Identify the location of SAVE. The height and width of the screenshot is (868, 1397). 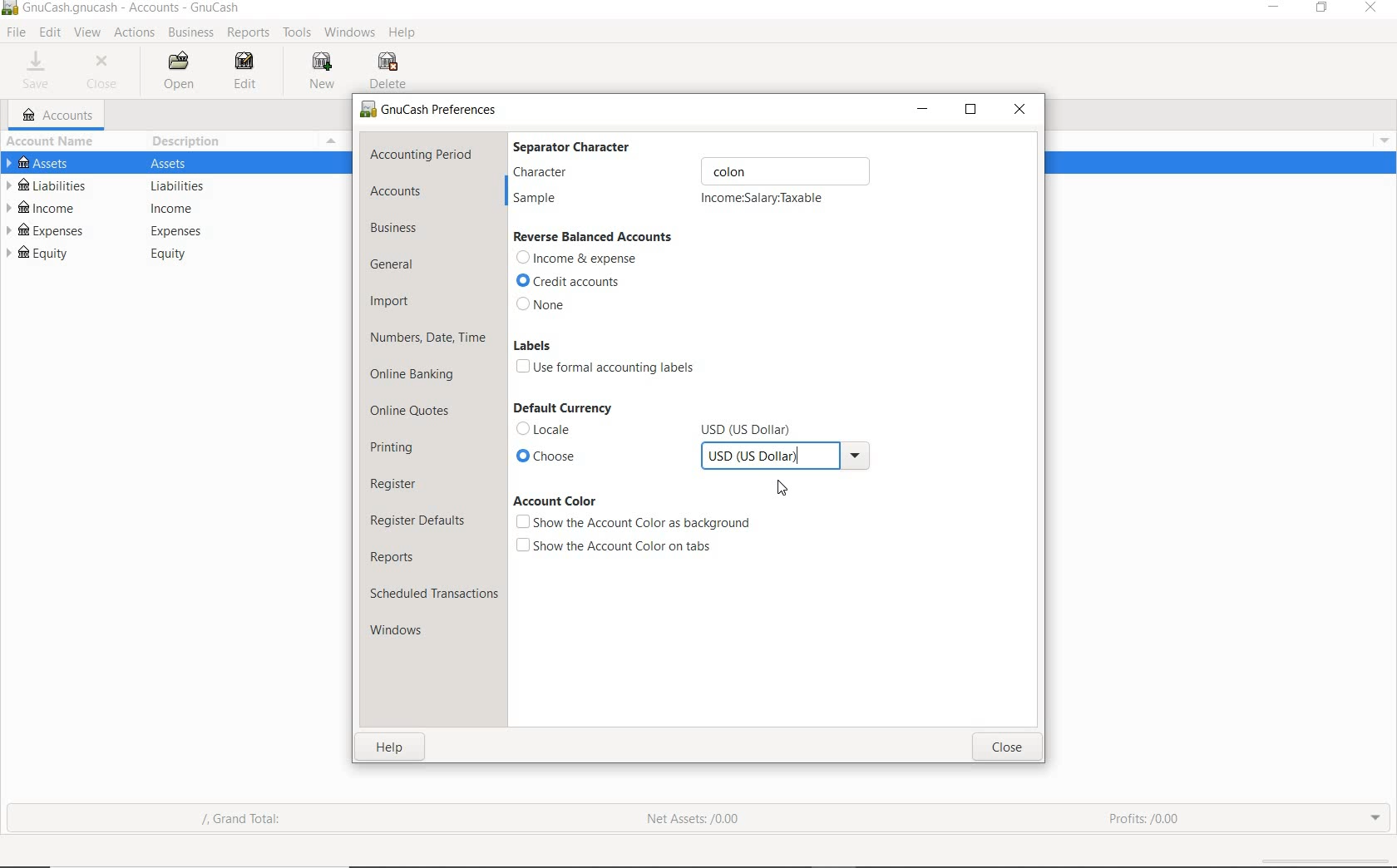
(39, 72).